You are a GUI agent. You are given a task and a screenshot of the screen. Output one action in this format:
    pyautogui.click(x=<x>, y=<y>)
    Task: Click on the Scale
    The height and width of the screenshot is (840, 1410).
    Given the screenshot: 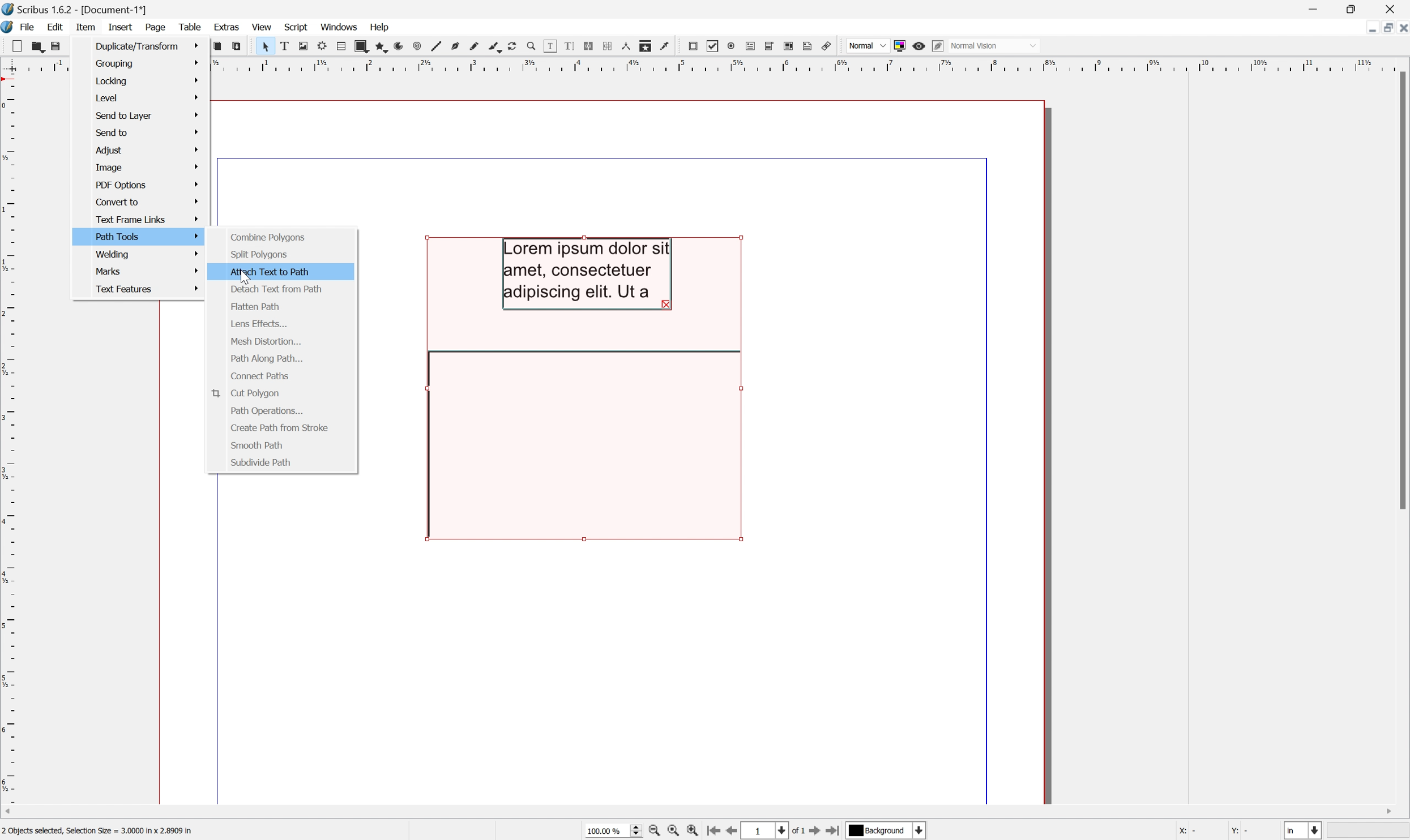 What is the action you would take?
    pyautogui.click(x=811, y=64)
    